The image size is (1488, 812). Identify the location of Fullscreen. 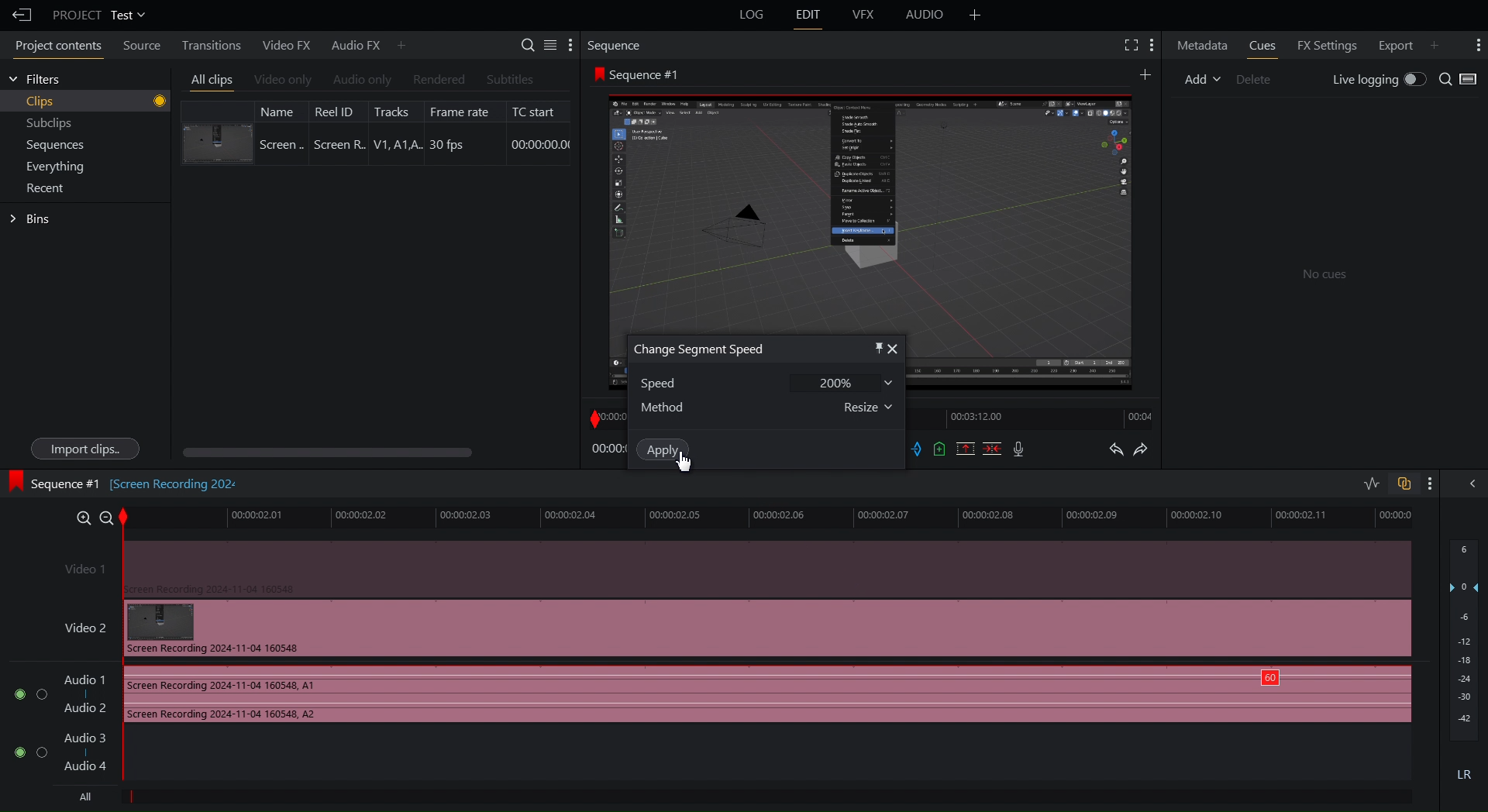
(1128, 45).